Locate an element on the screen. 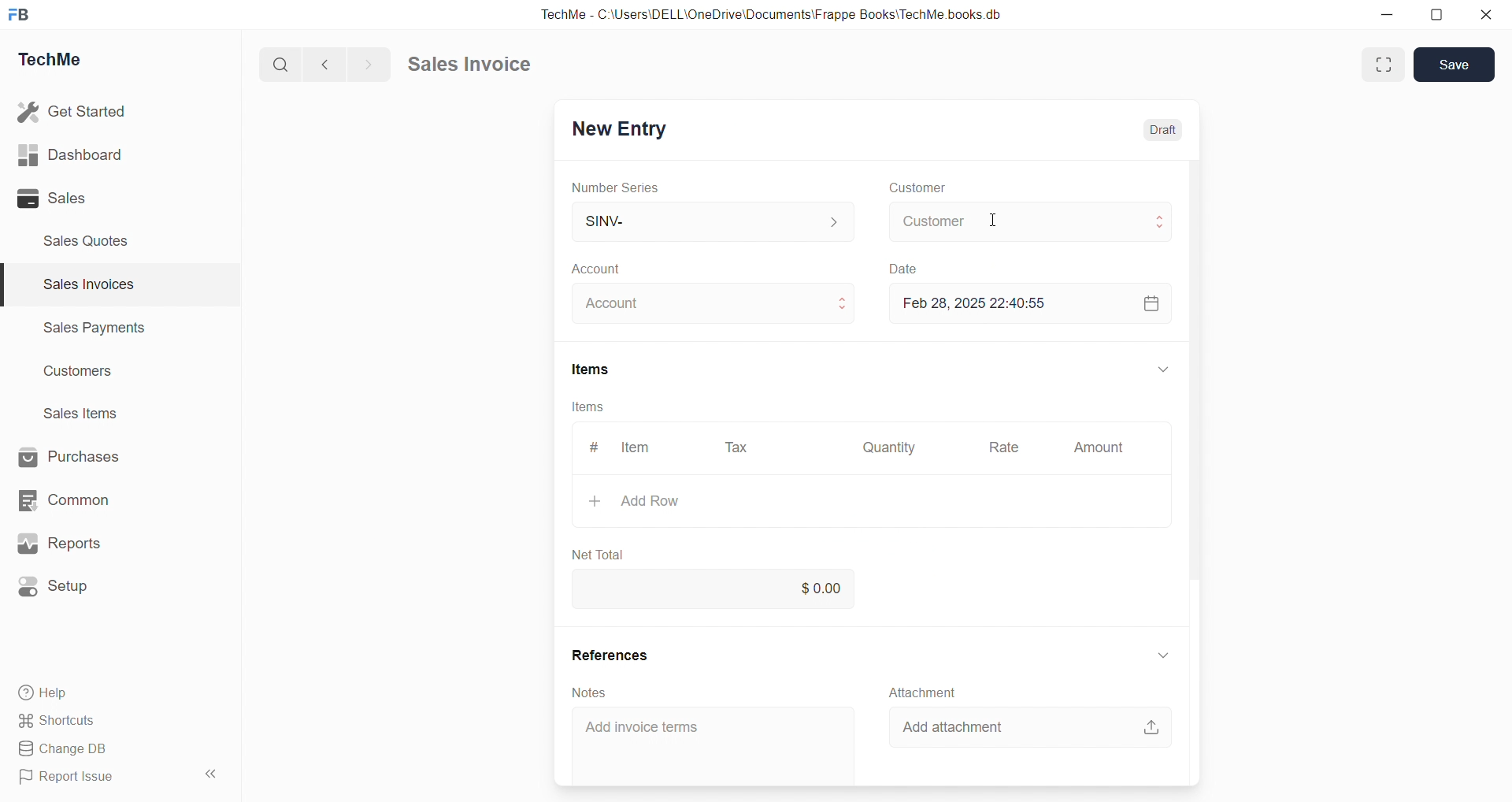  Item is located at coordinates (637, 447).